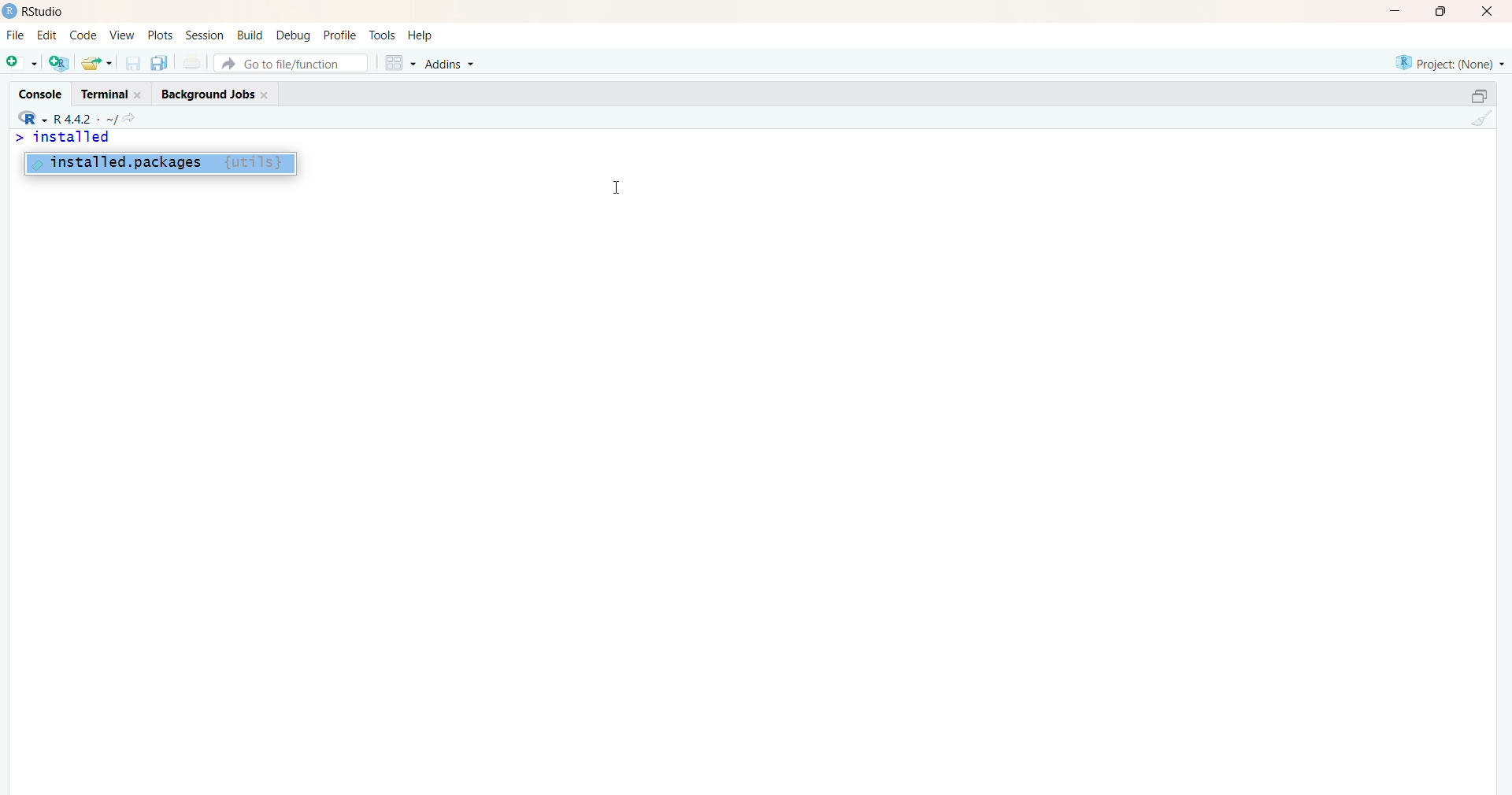 The image size is (1512, 795). What do you see at coordinates (205, 35) in the screenshot?
I see `session` at bounding box center [205, 35].